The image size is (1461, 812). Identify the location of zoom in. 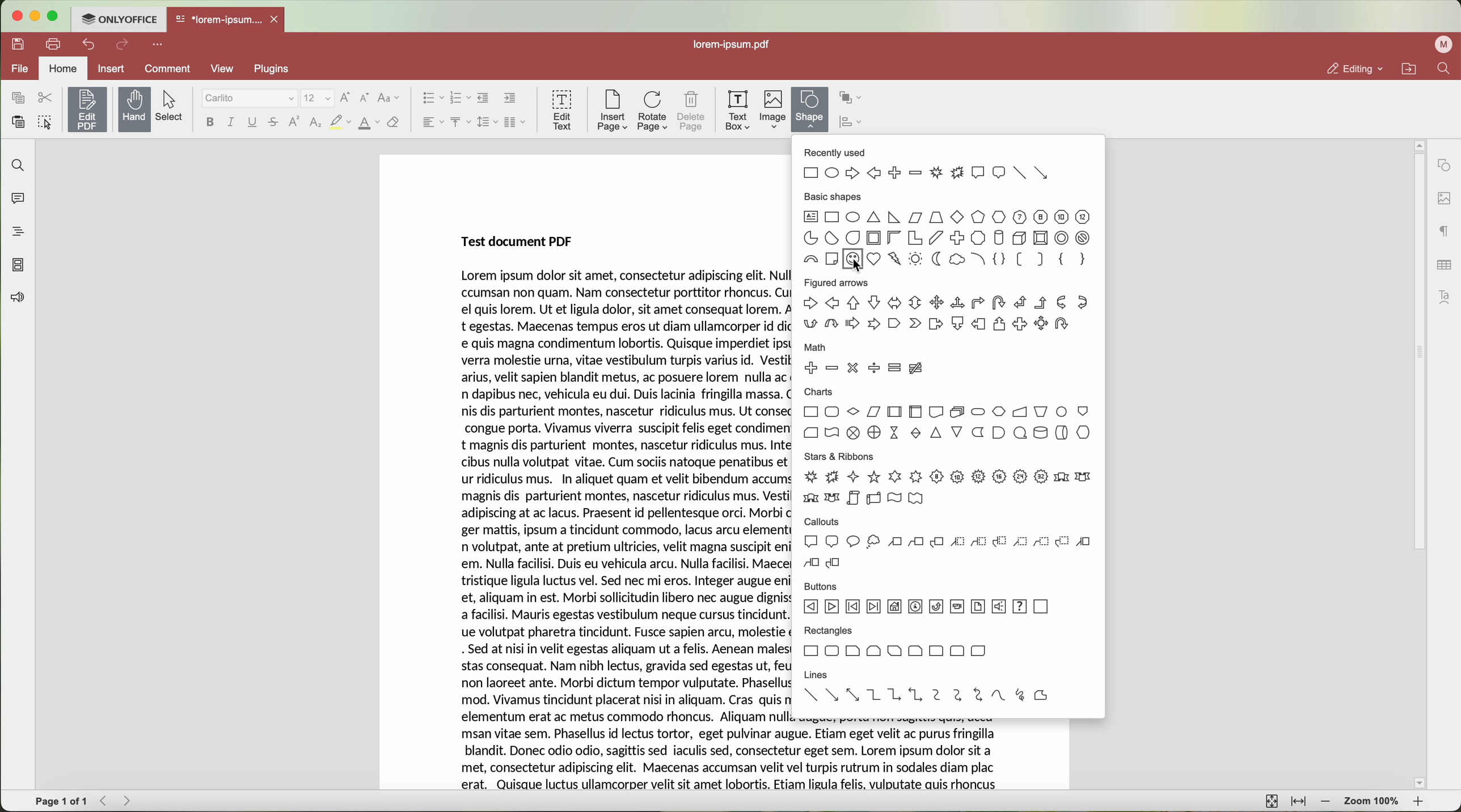
(1418, 802).